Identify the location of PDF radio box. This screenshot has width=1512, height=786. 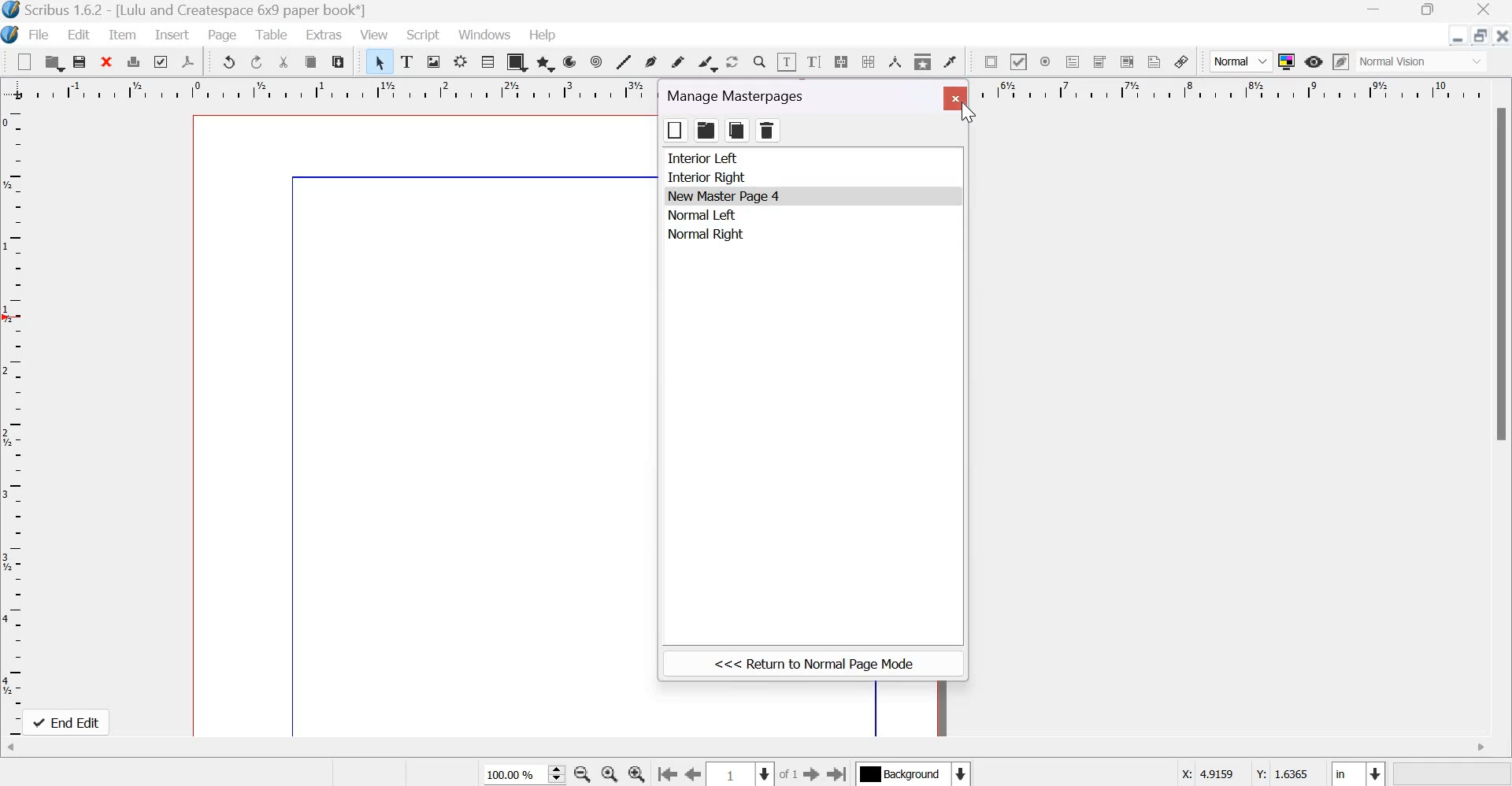
(1046, 61).